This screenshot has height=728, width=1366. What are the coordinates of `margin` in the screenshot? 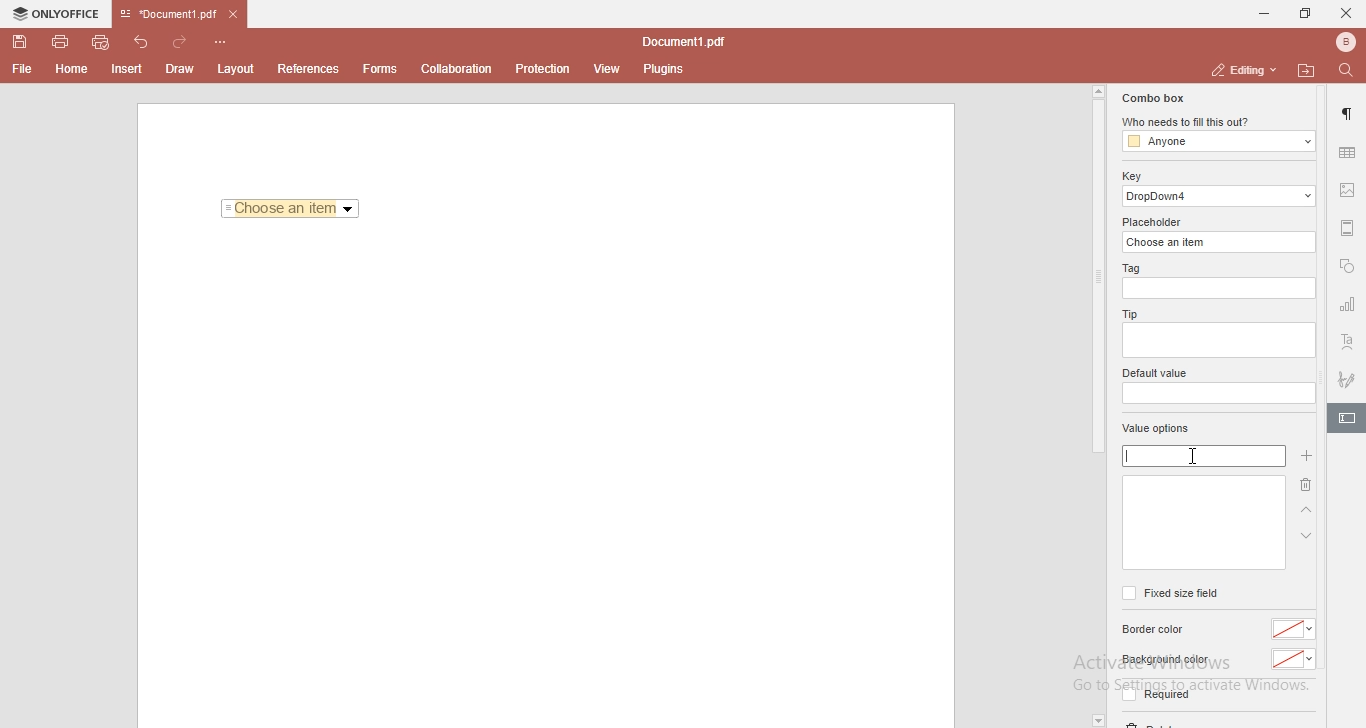 It's located at (1348, 226).